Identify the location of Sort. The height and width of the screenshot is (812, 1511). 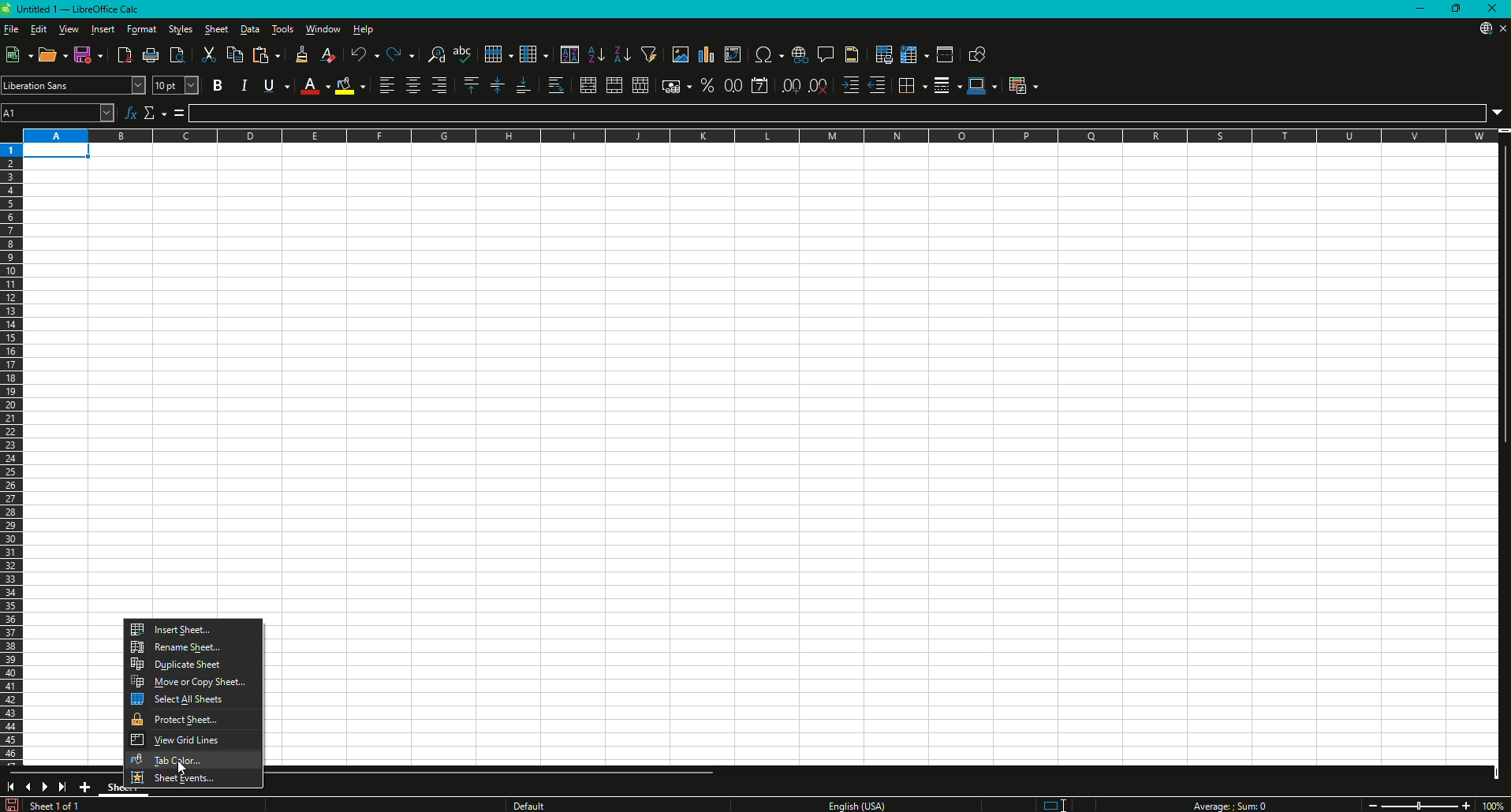
(569, 54).